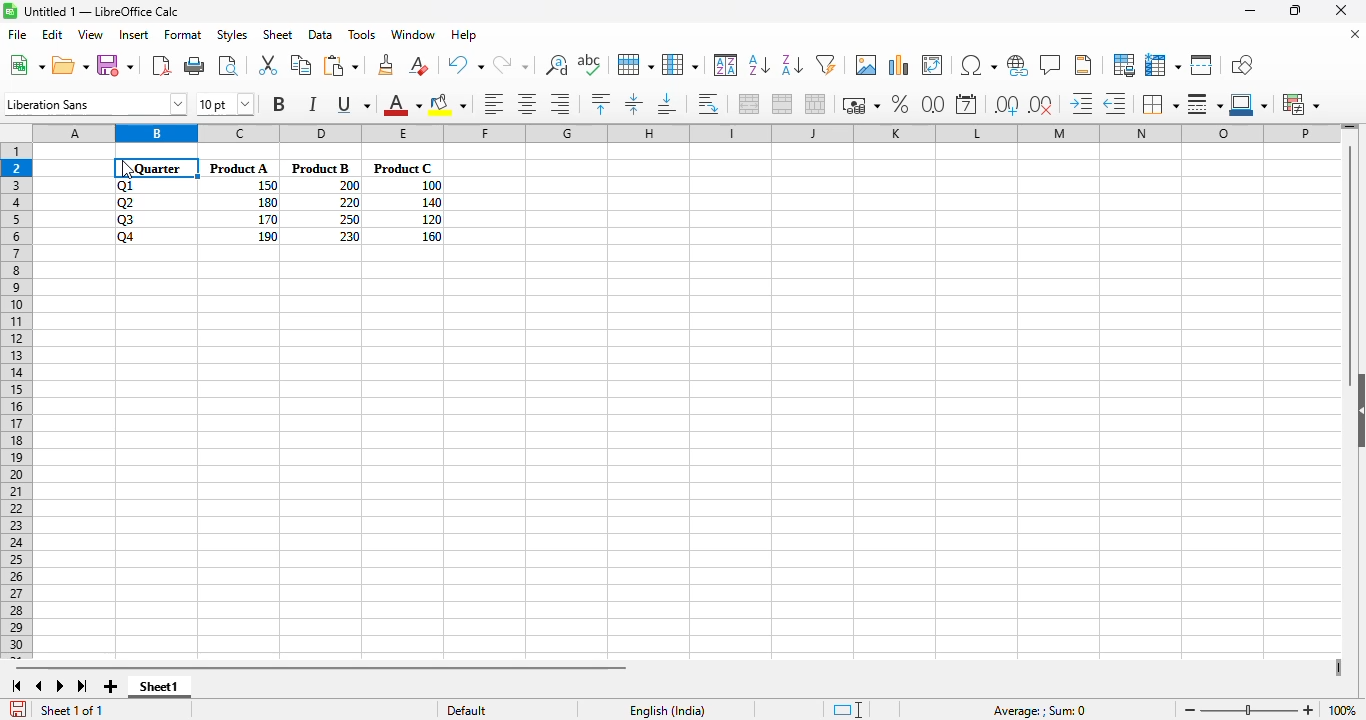 This screenshot has width=1366, height=720. What do you see at coordinates (448, 104) in the screenshot?
I see `background color` at bounding box center [448, 104].